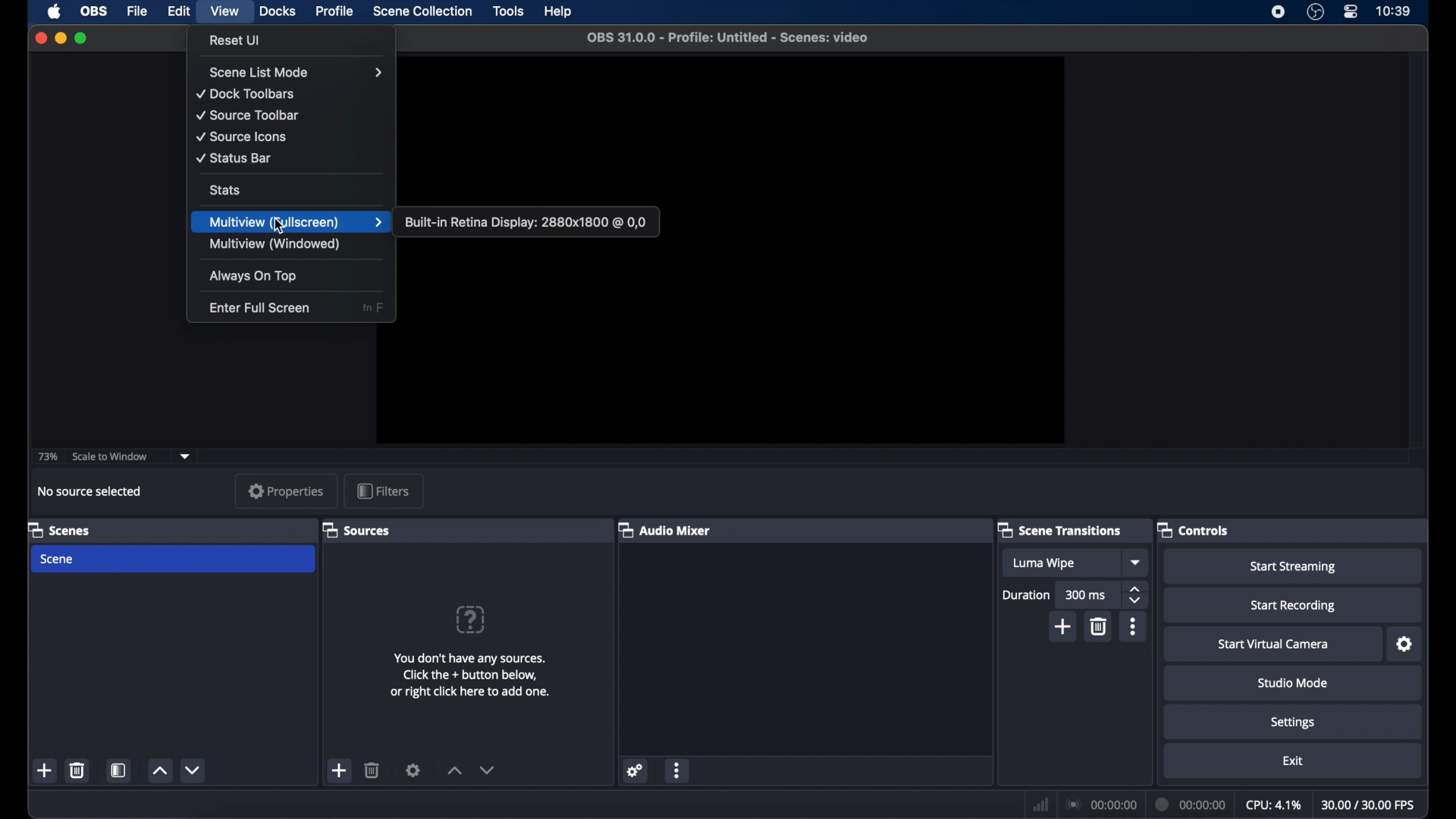 The width and height of the screenshot is (1456, 819). What do you see at coordinates (110, 457) in the screenshot?
I see `scale to window` at bounding box center [110, 457].